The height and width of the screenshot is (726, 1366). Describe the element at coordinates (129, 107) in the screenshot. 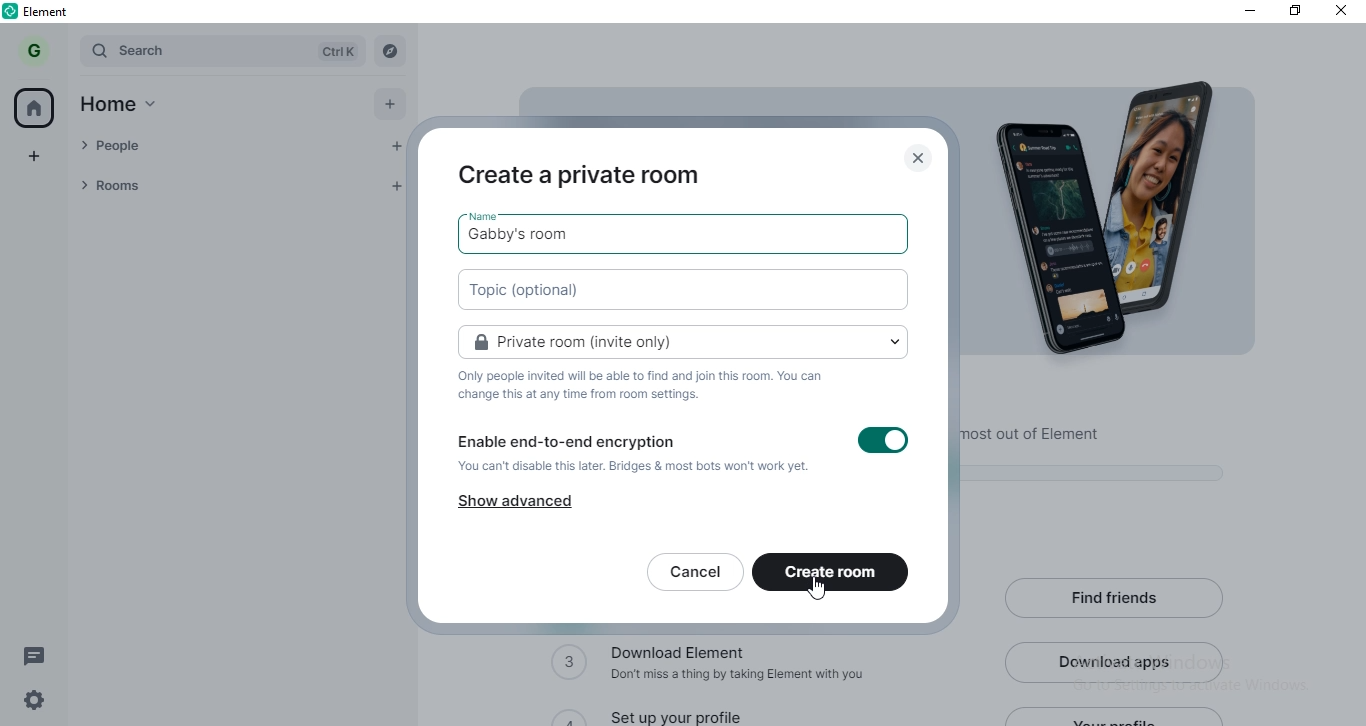

I see `home` at that location.